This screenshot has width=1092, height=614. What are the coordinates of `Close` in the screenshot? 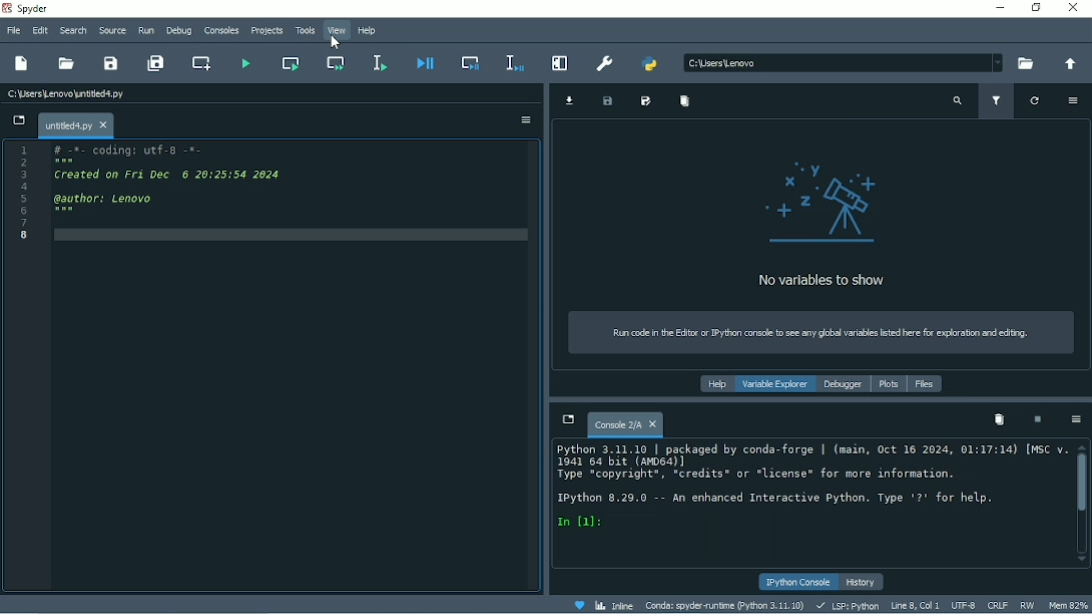 It's located at (1076, 8).